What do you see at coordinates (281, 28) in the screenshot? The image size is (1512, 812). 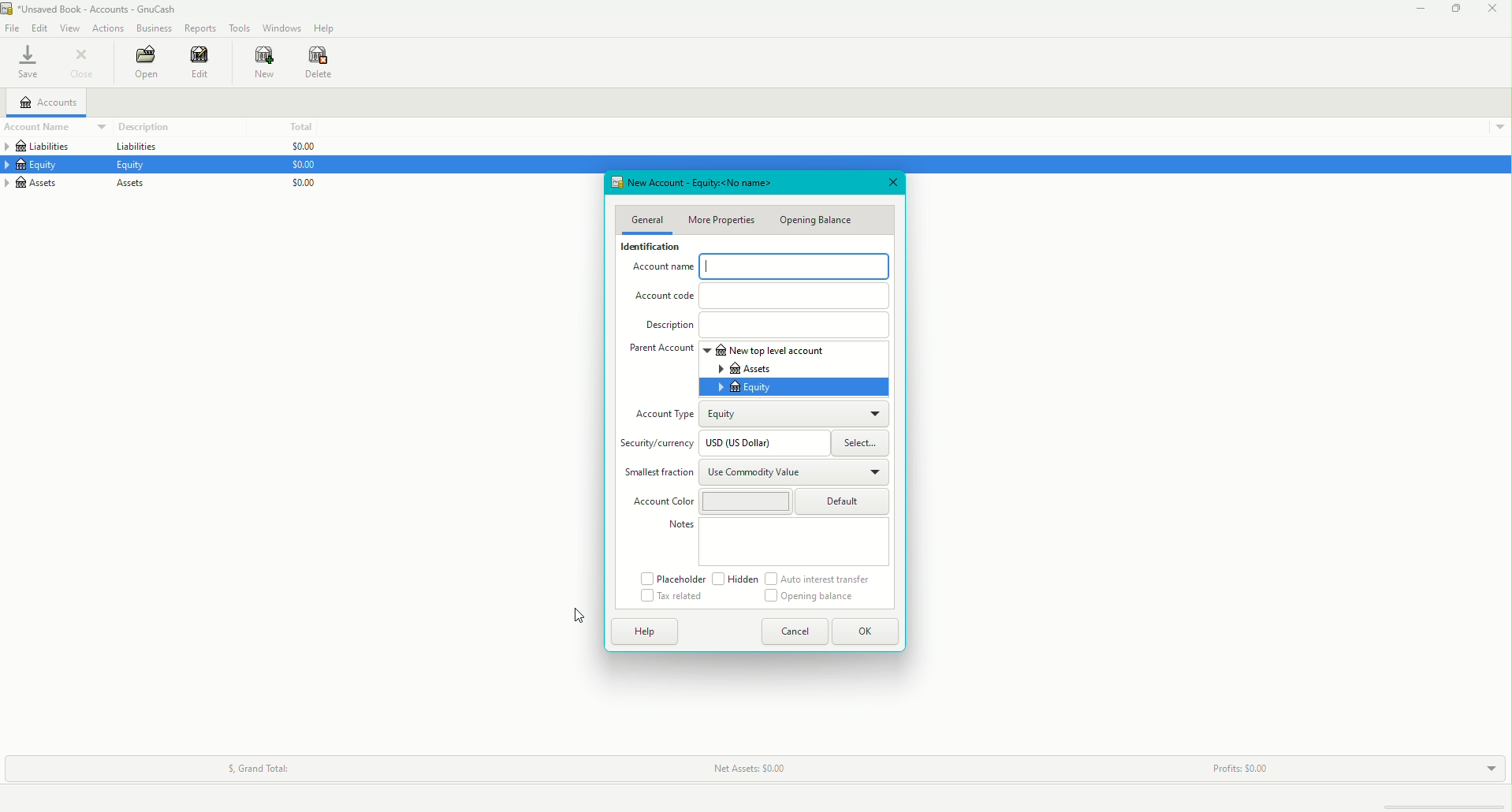 I see `Windows` at bounding box center [281, 28].